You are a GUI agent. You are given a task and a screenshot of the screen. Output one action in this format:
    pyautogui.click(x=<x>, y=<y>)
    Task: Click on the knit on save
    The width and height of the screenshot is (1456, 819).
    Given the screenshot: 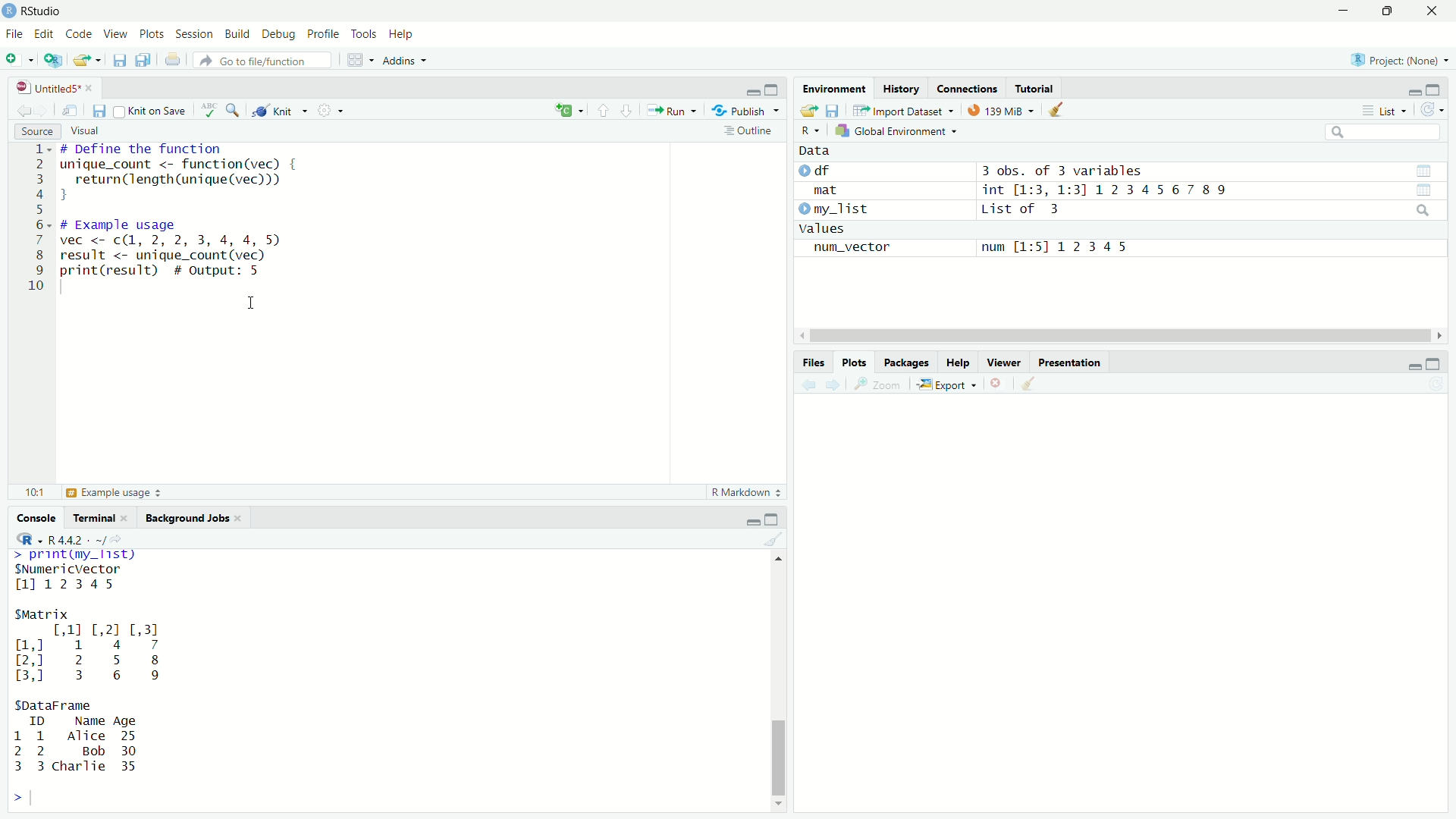 What is the action you would take?
    pyautogui.click(x=153, y=111)
    